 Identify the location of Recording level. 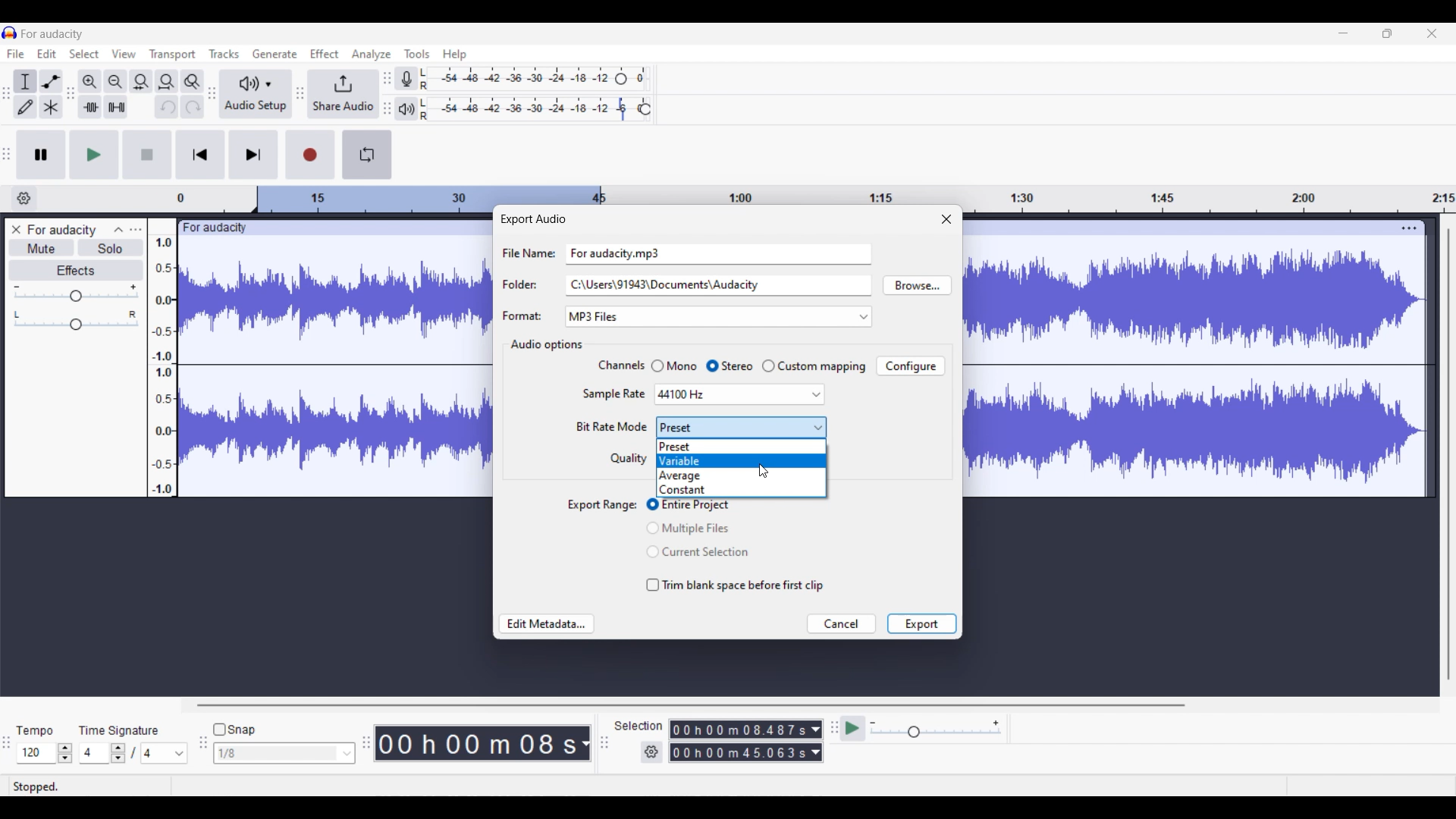
(516, 79).